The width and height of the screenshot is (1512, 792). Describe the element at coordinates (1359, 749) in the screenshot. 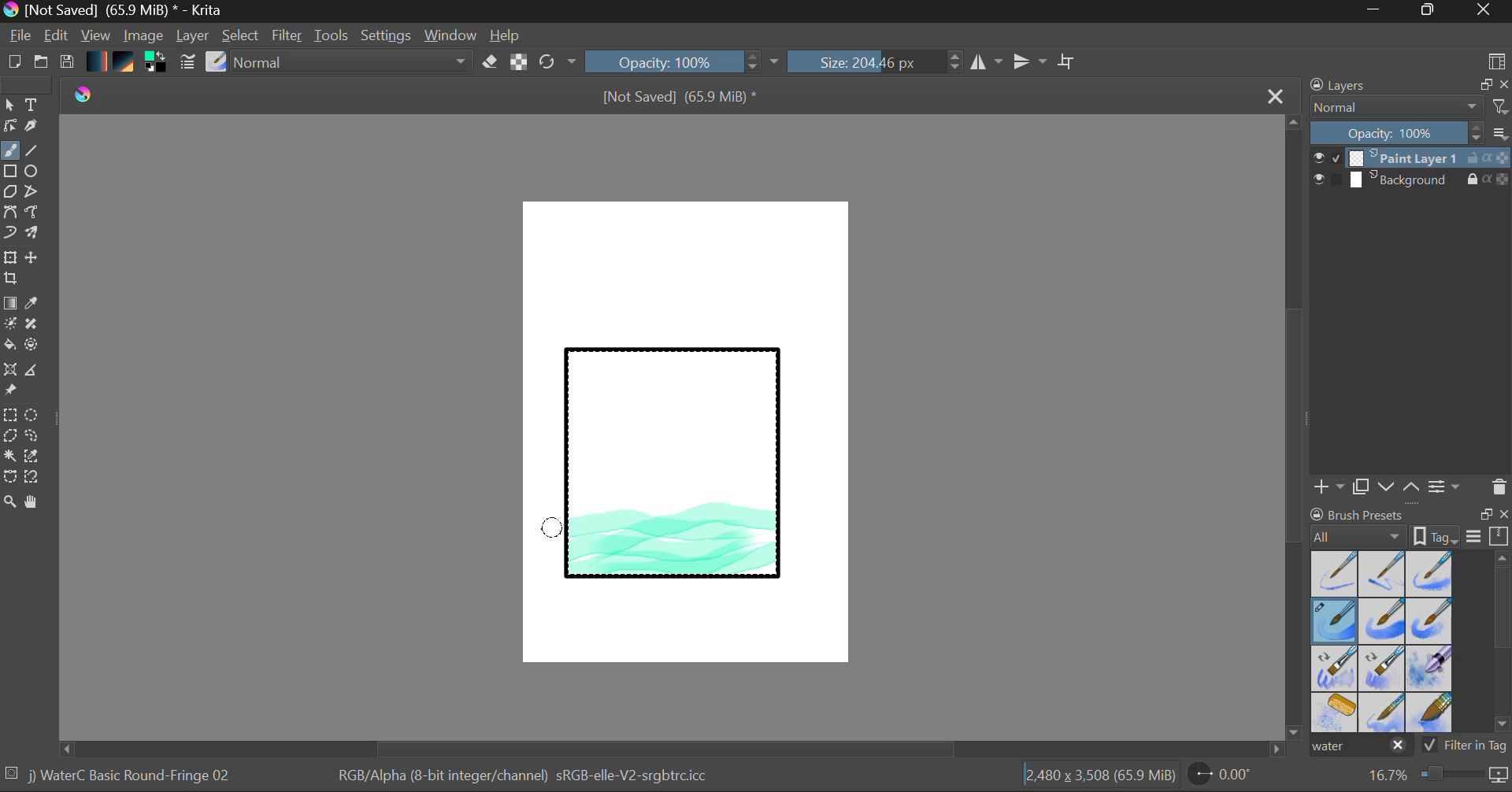

I see `"water" search in brush presets` at that location.